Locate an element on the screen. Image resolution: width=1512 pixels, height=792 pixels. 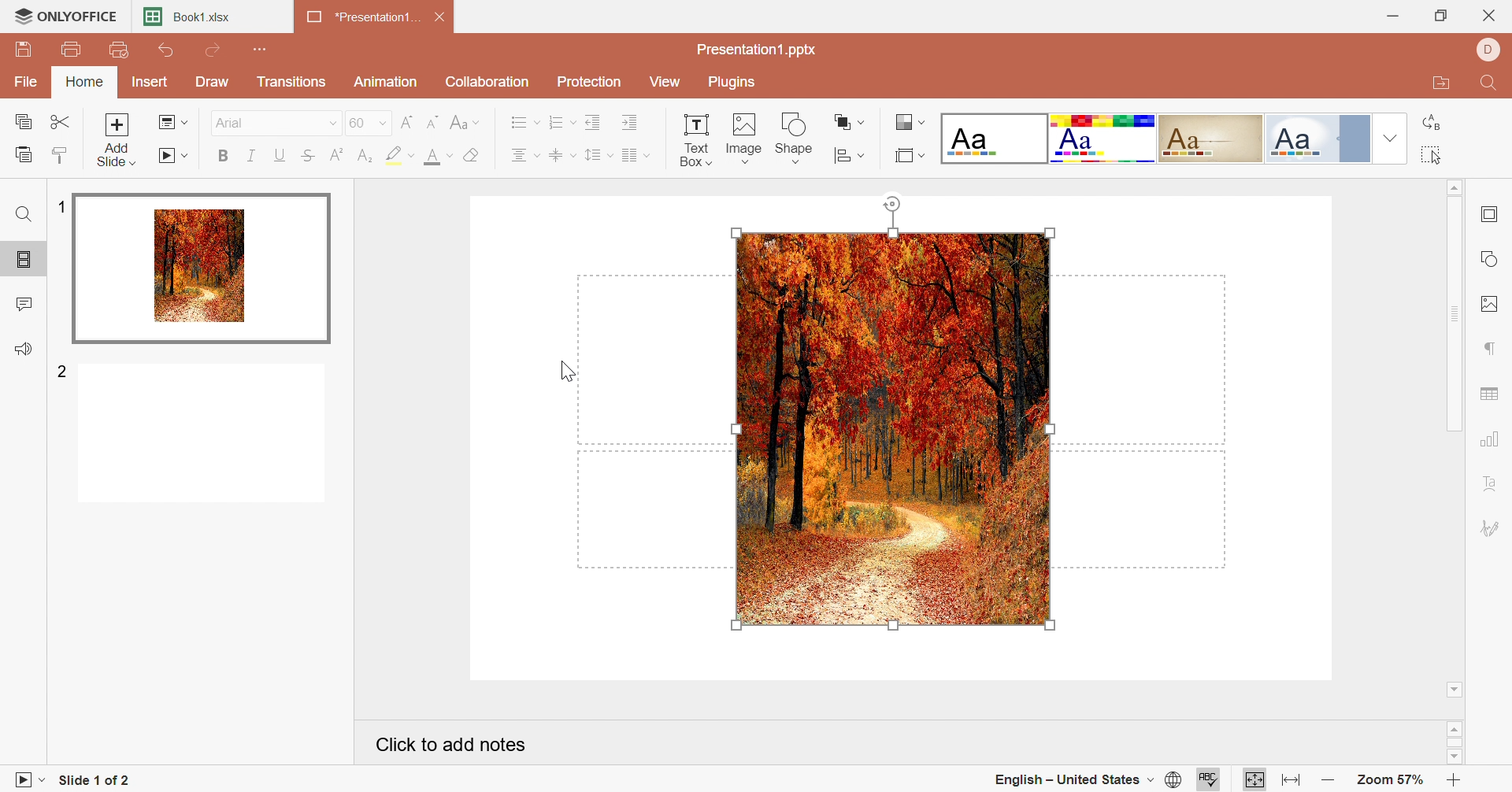
Find is located at coordinates (1492, 84).